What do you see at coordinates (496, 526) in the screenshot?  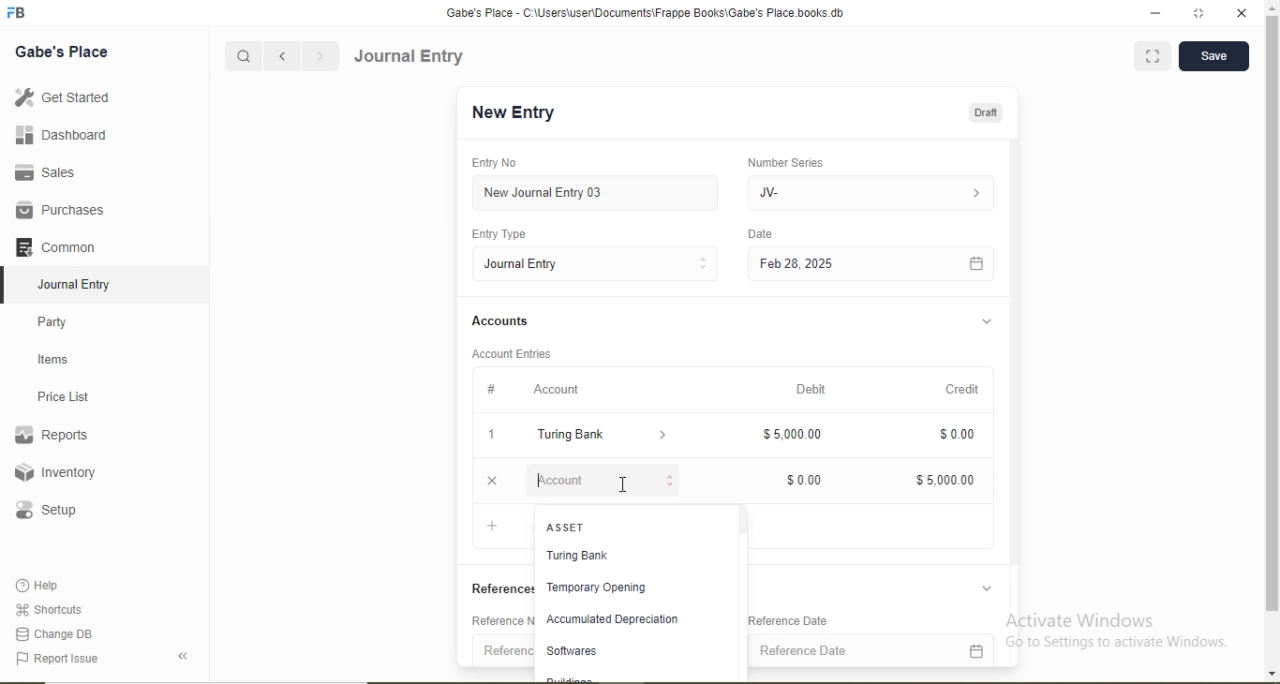 I see `Add` at bounding box center [496, 526].